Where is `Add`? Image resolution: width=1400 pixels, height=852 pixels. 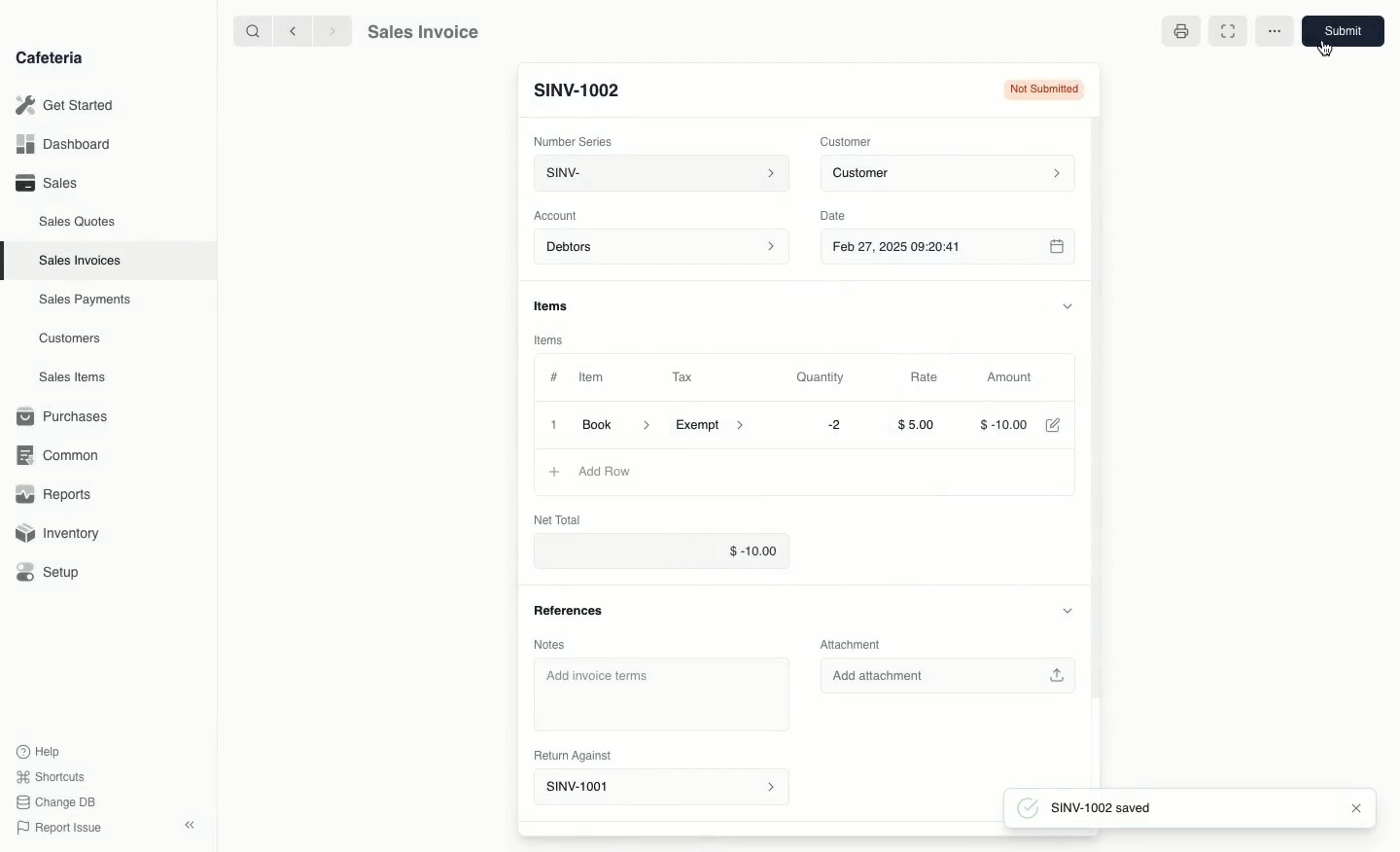
Add is located at coordinates (550, 472).